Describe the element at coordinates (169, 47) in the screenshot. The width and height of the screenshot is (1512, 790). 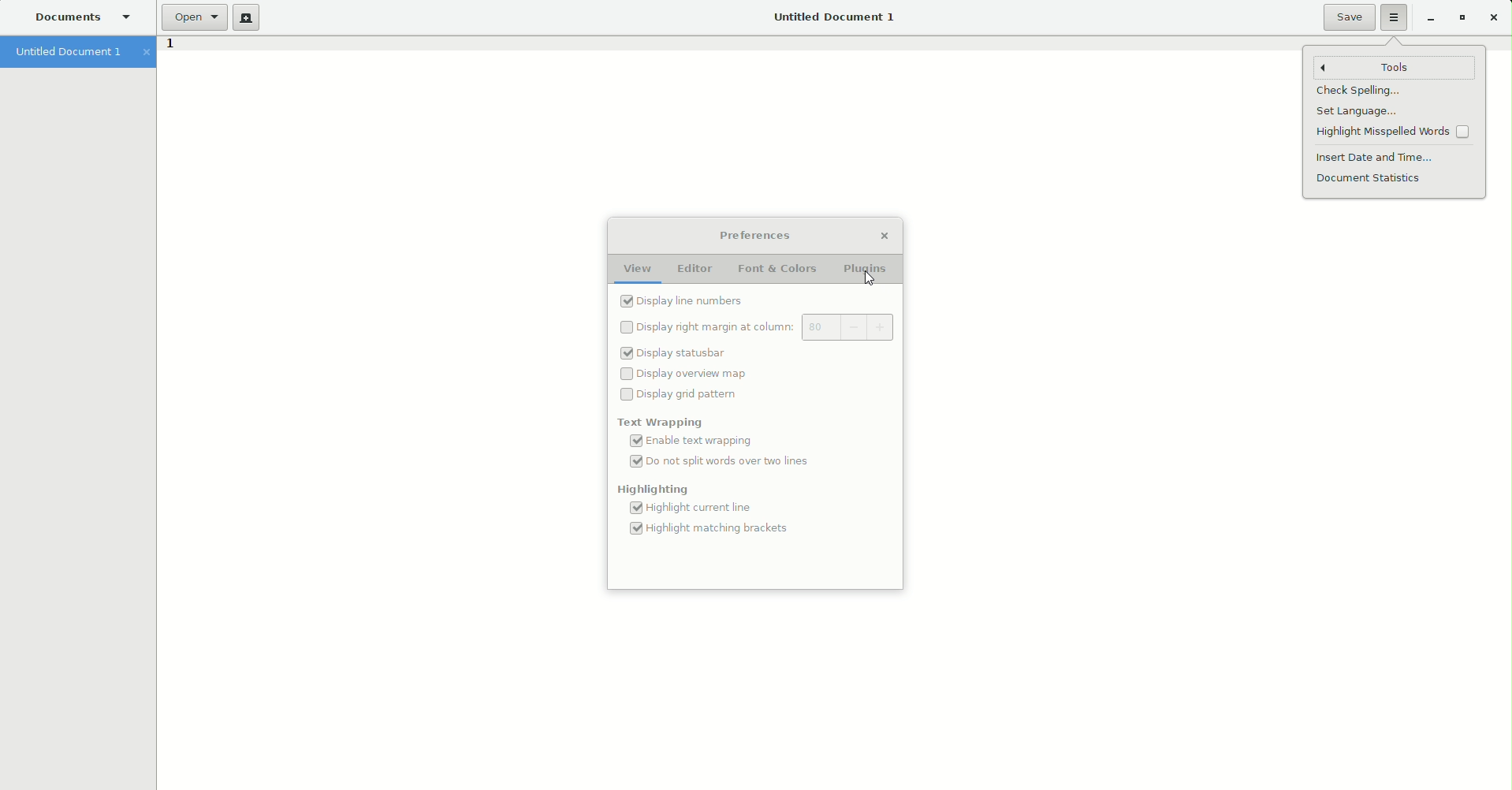
I see `1` at that location.